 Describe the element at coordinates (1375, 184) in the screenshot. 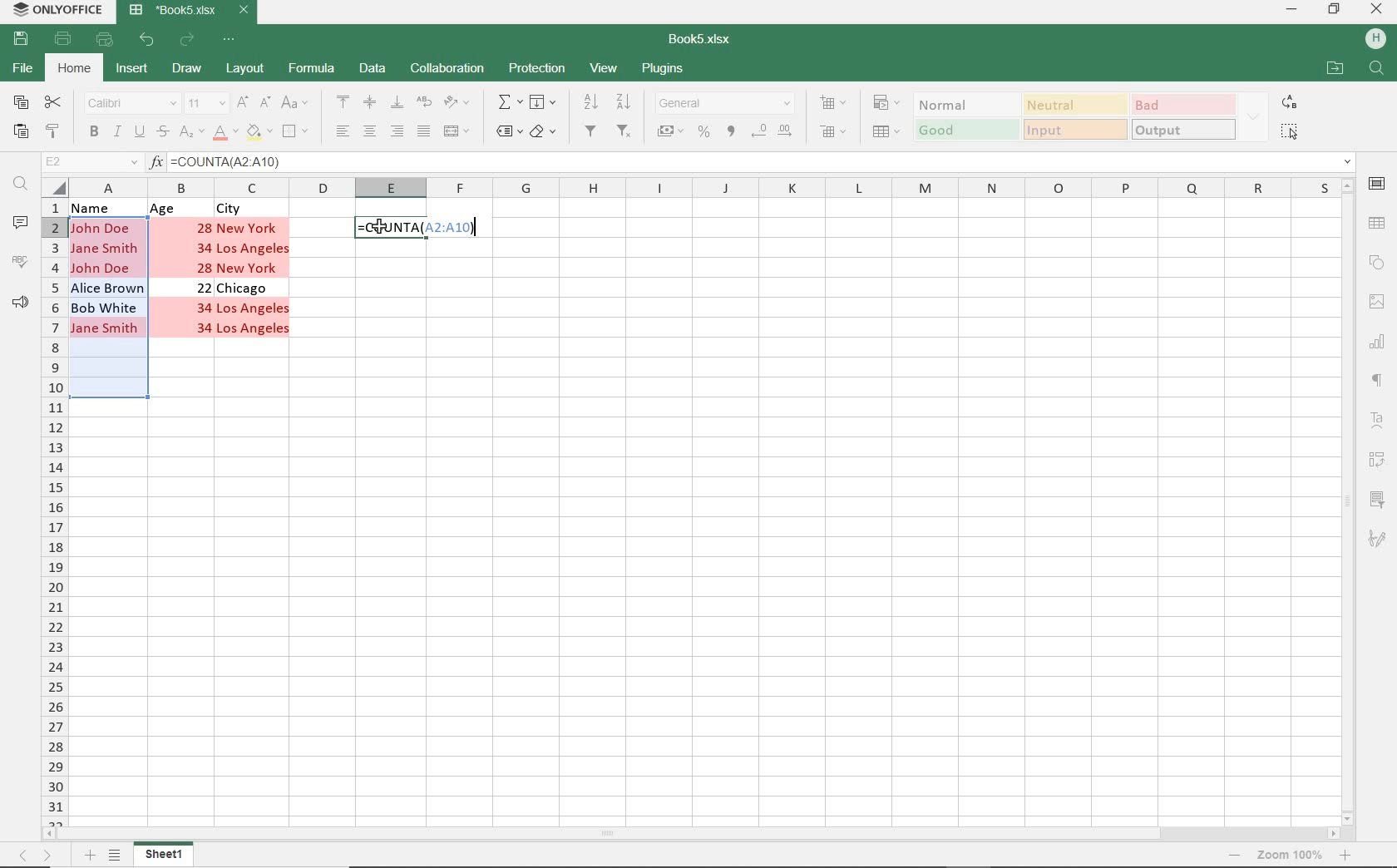

I see `CELL SETTINGS` at that location.